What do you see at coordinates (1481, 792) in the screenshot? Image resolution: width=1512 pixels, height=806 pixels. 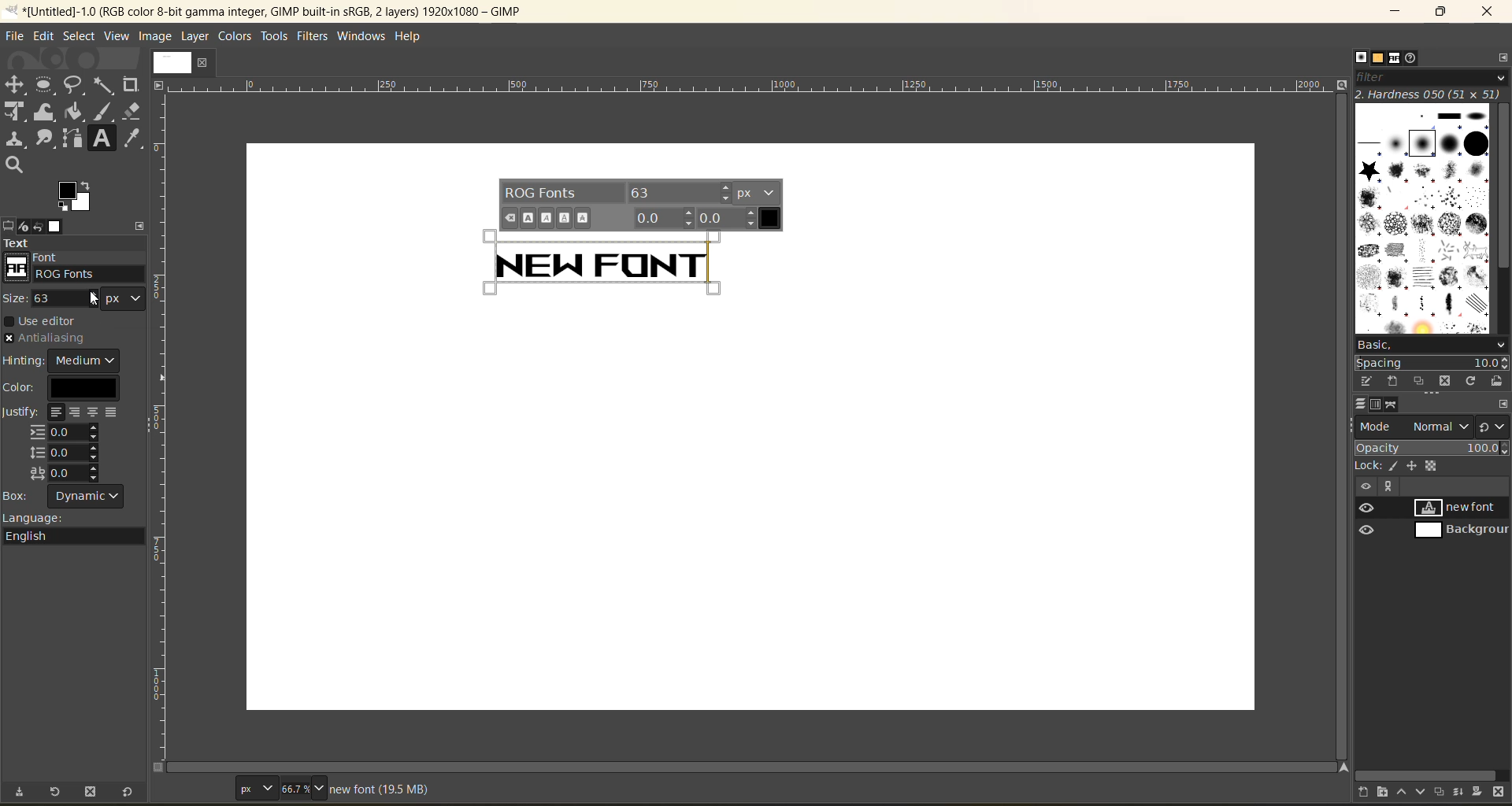 I see `add a mask` at bounding box center [1481, 792].